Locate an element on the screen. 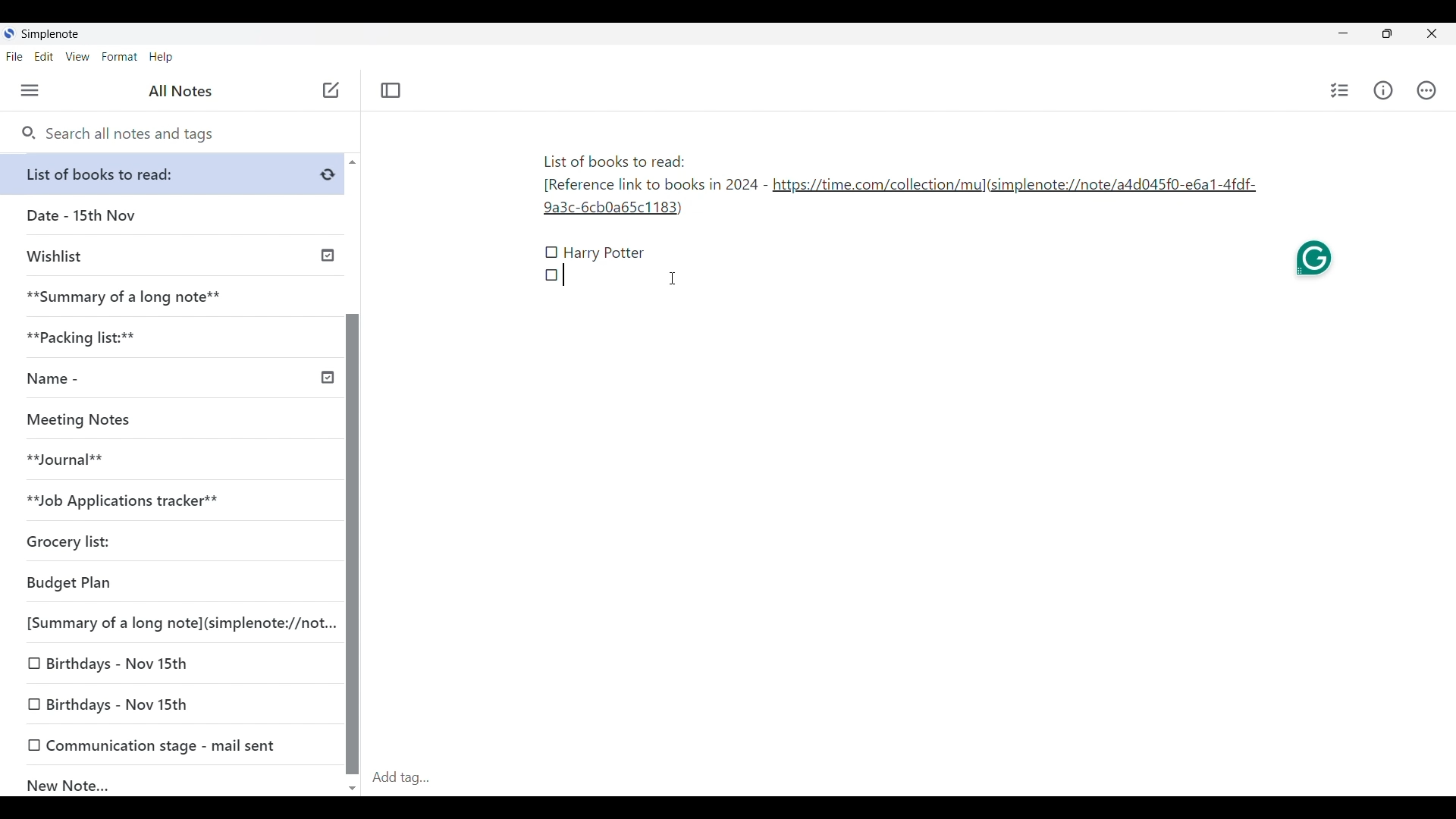  **Job Applications tracker** is located at coordinates (167, 501).